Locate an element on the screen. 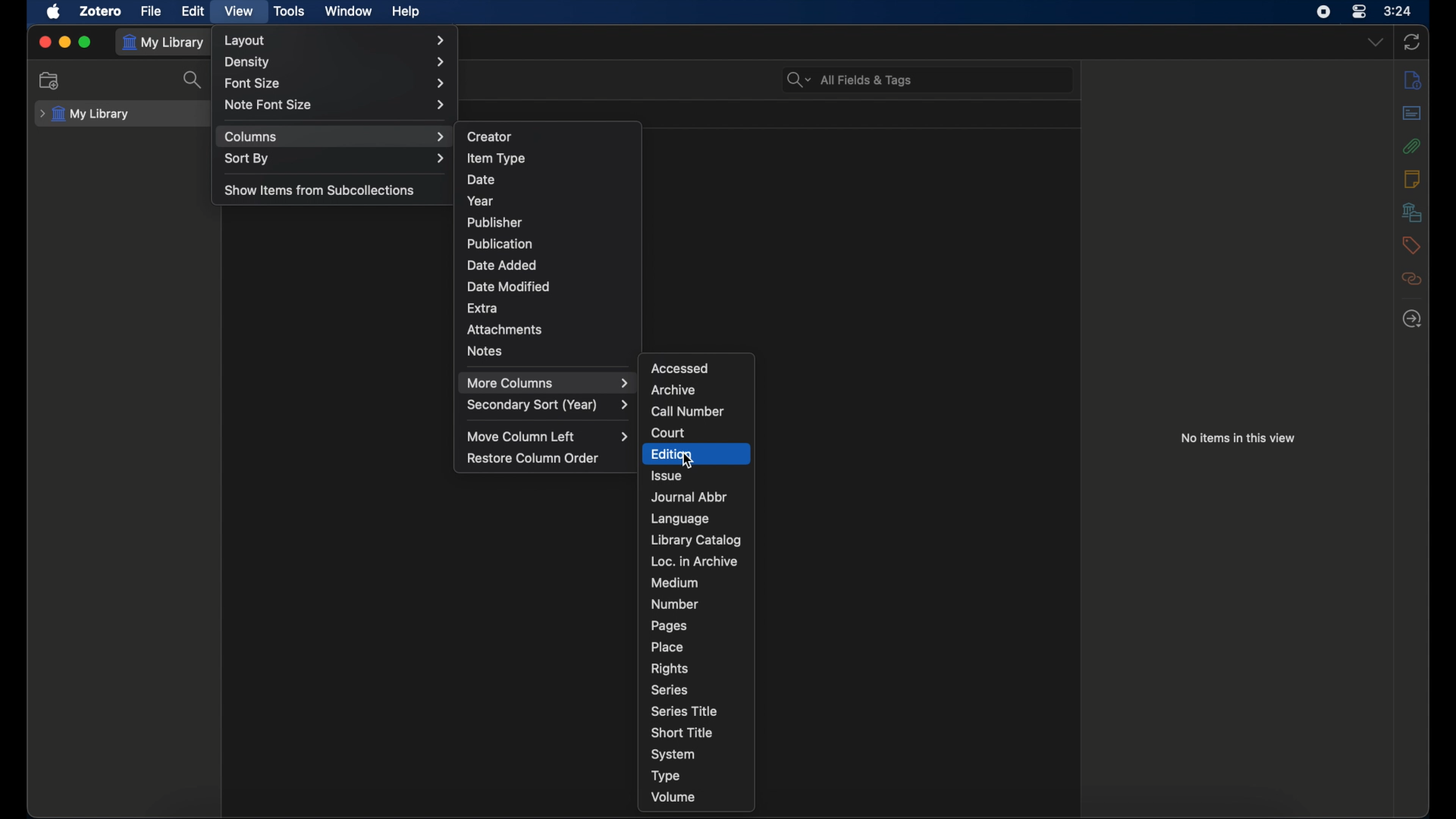 The width and height of the screenshot is (1456, 819). series title is located at coordinates (686, 711).